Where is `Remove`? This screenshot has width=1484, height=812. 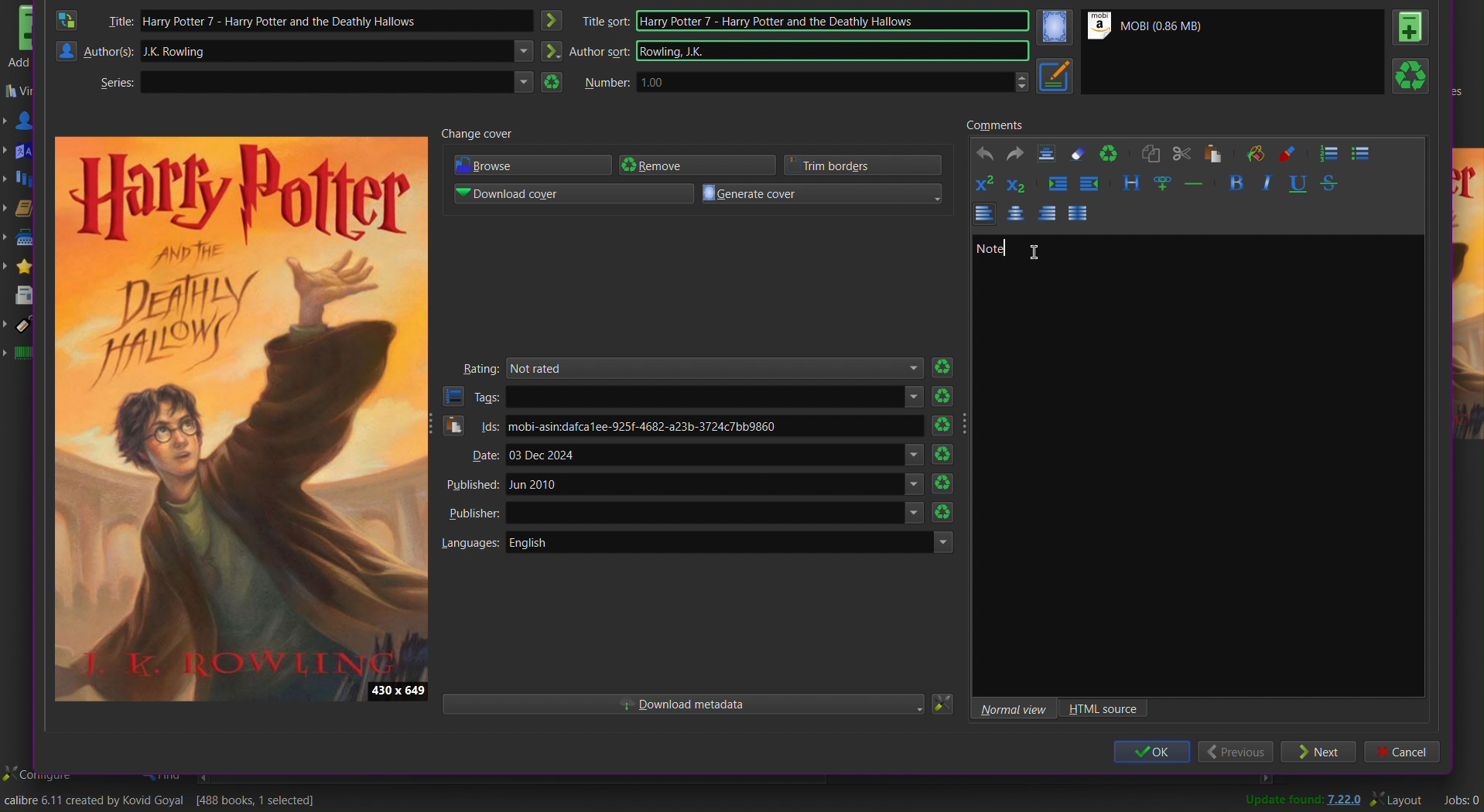
Remove is located at coordinates (700, 166).